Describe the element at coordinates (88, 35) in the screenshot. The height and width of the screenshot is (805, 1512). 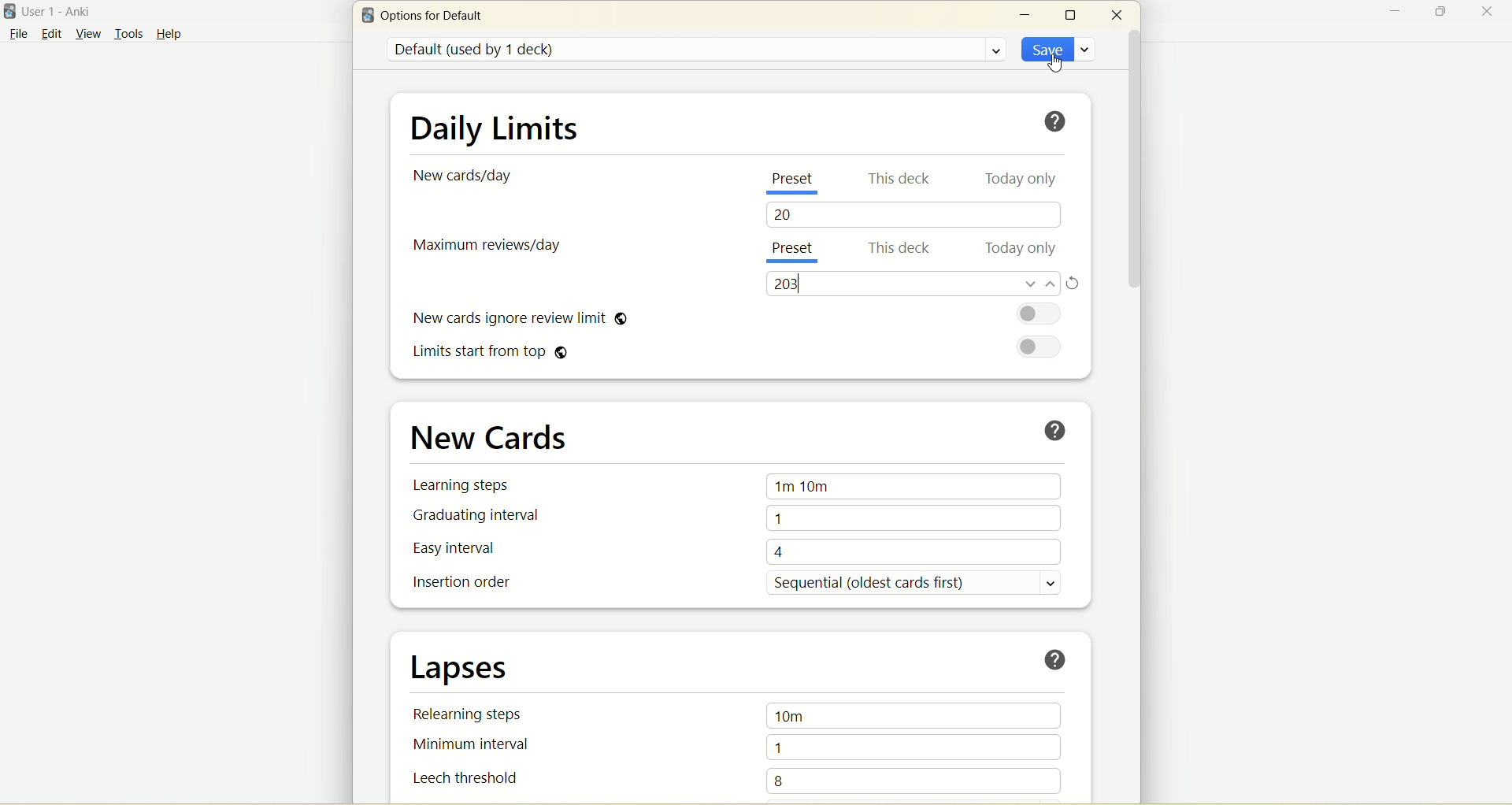
I see `view` at that location.